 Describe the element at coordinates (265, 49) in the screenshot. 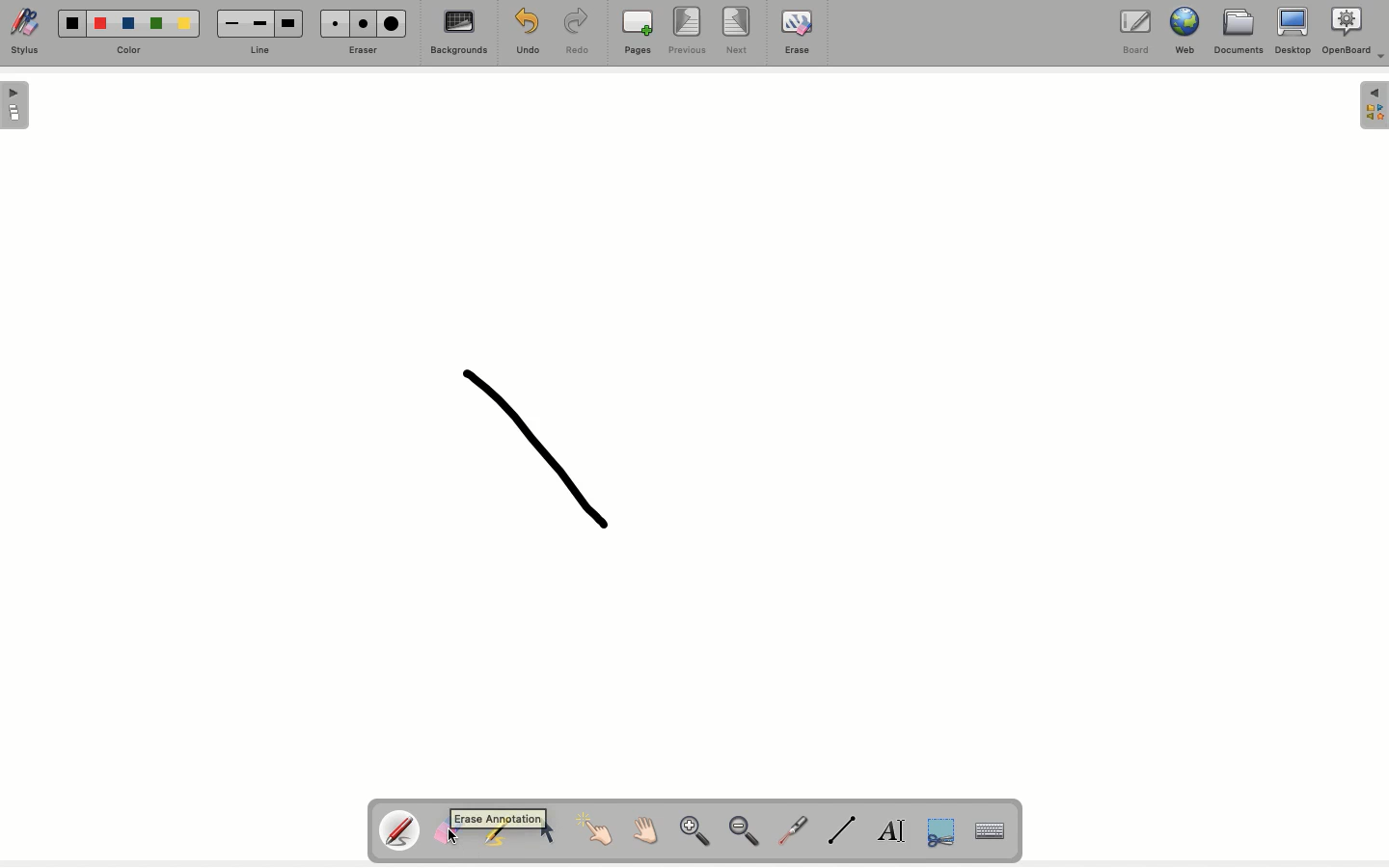

I see `Line` at that location.